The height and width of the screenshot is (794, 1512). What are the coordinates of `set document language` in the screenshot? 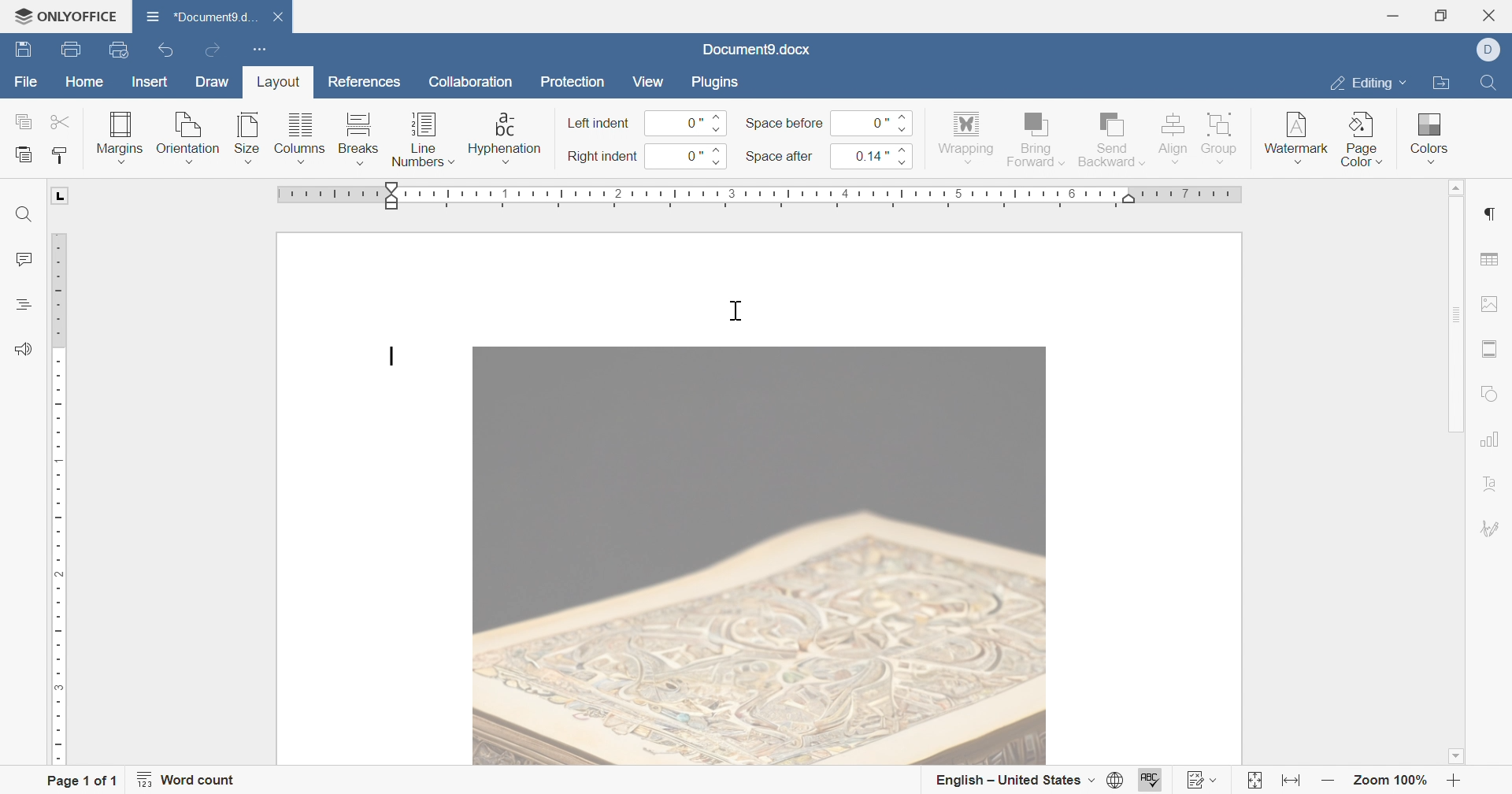 It's located at (1121, 780).